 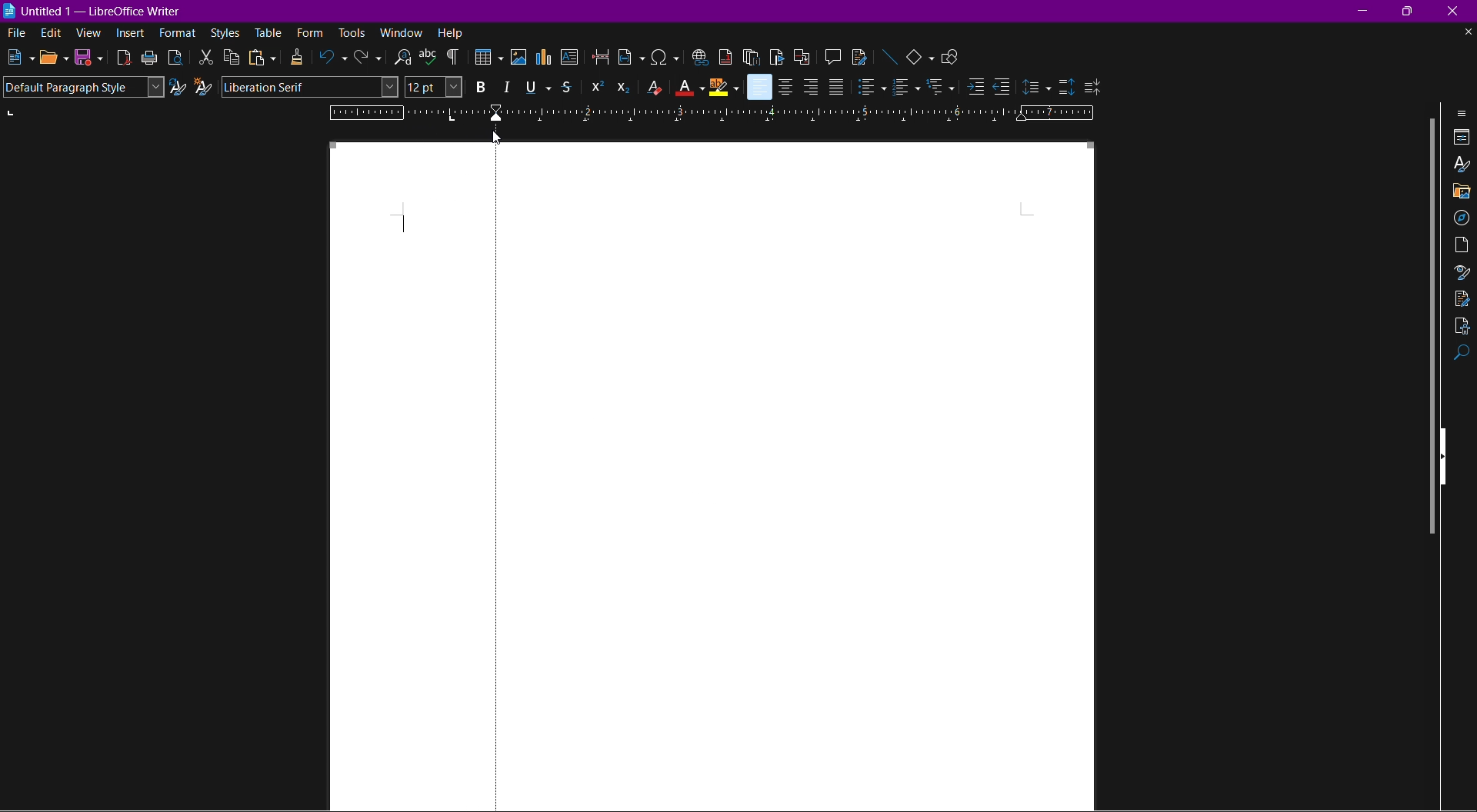 I want to click on Underline, so click(x=537, y=86).